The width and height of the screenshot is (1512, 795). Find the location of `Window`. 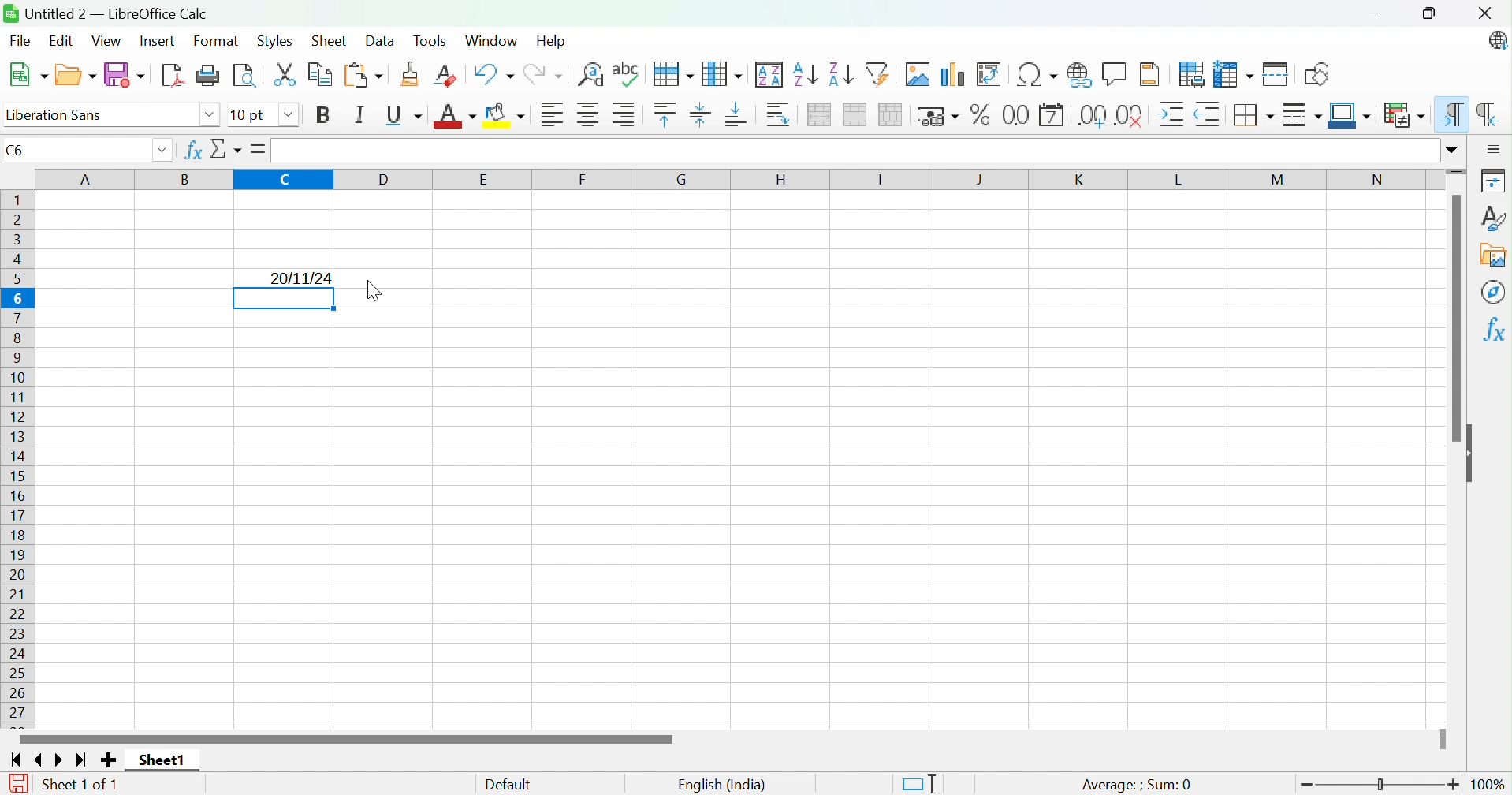

Window is located at coordinates (490, 40).